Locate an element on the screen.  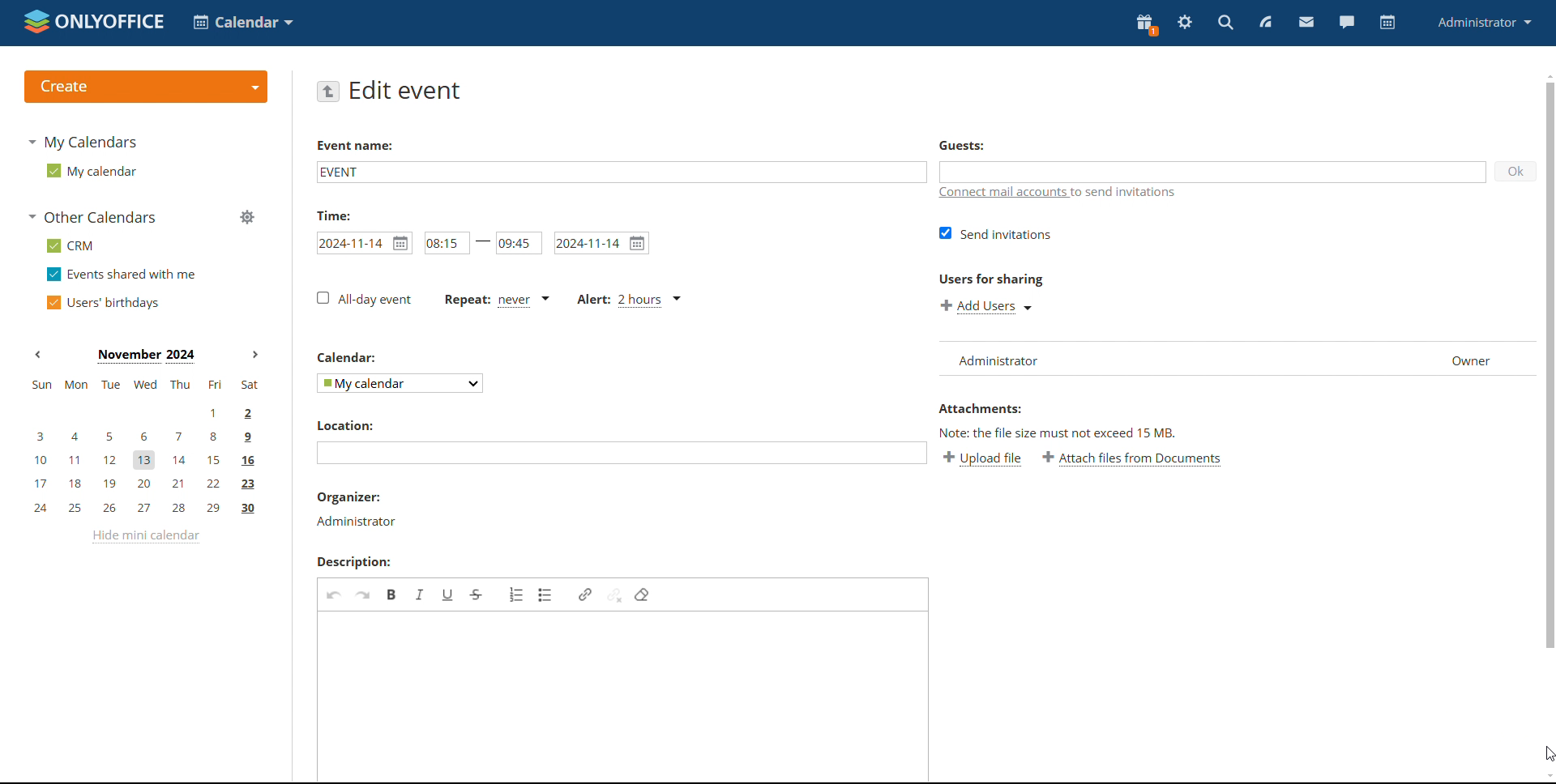
present is located at coordinates (1145, 26).